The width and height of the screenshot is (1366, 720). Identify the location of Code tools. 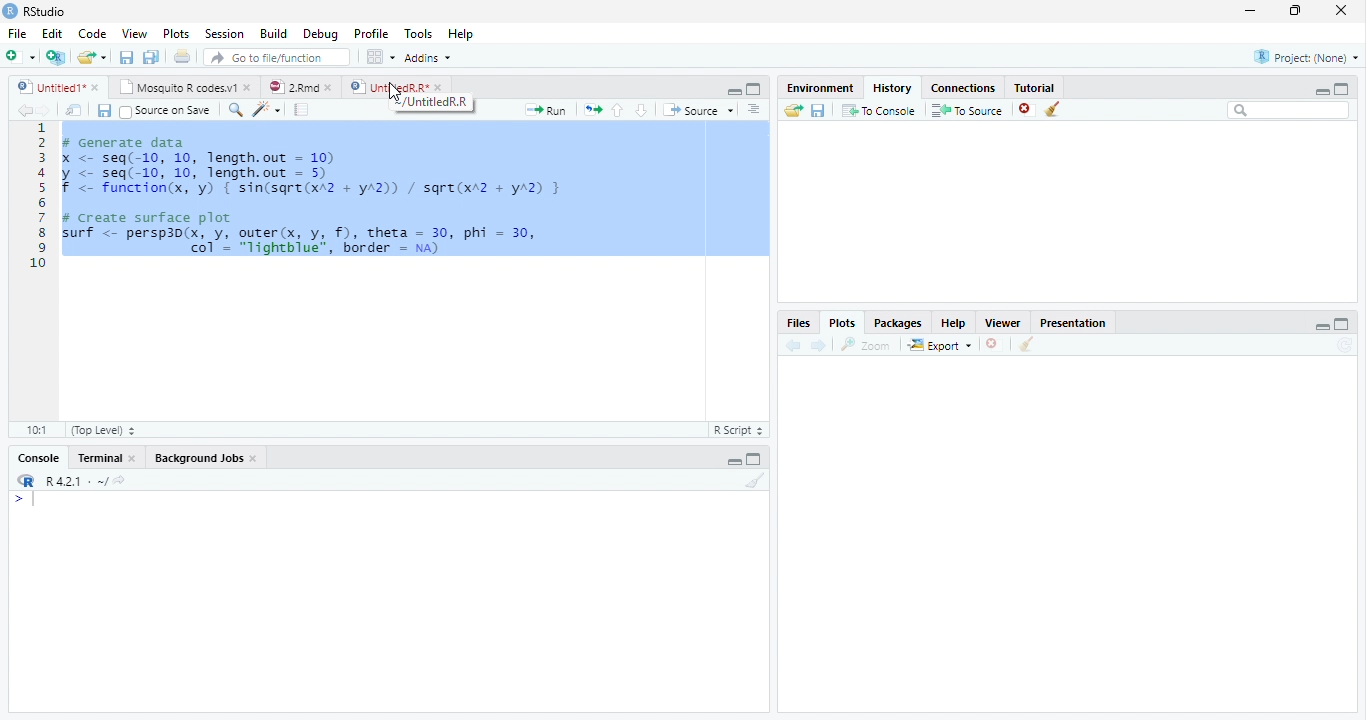
(267, 109).